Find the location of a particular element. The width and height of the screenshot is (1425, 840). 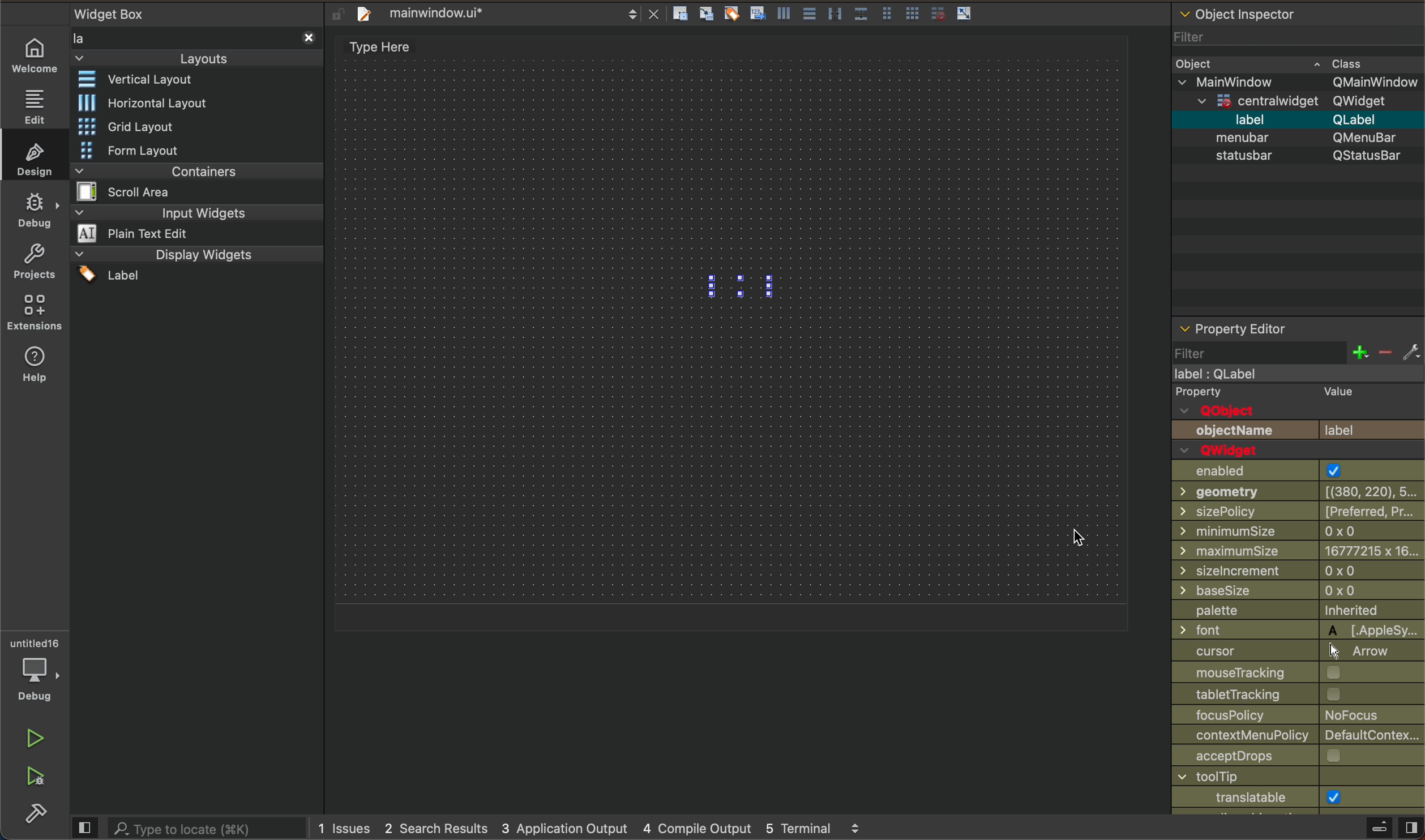

font is located at coordinates (1296, 629).